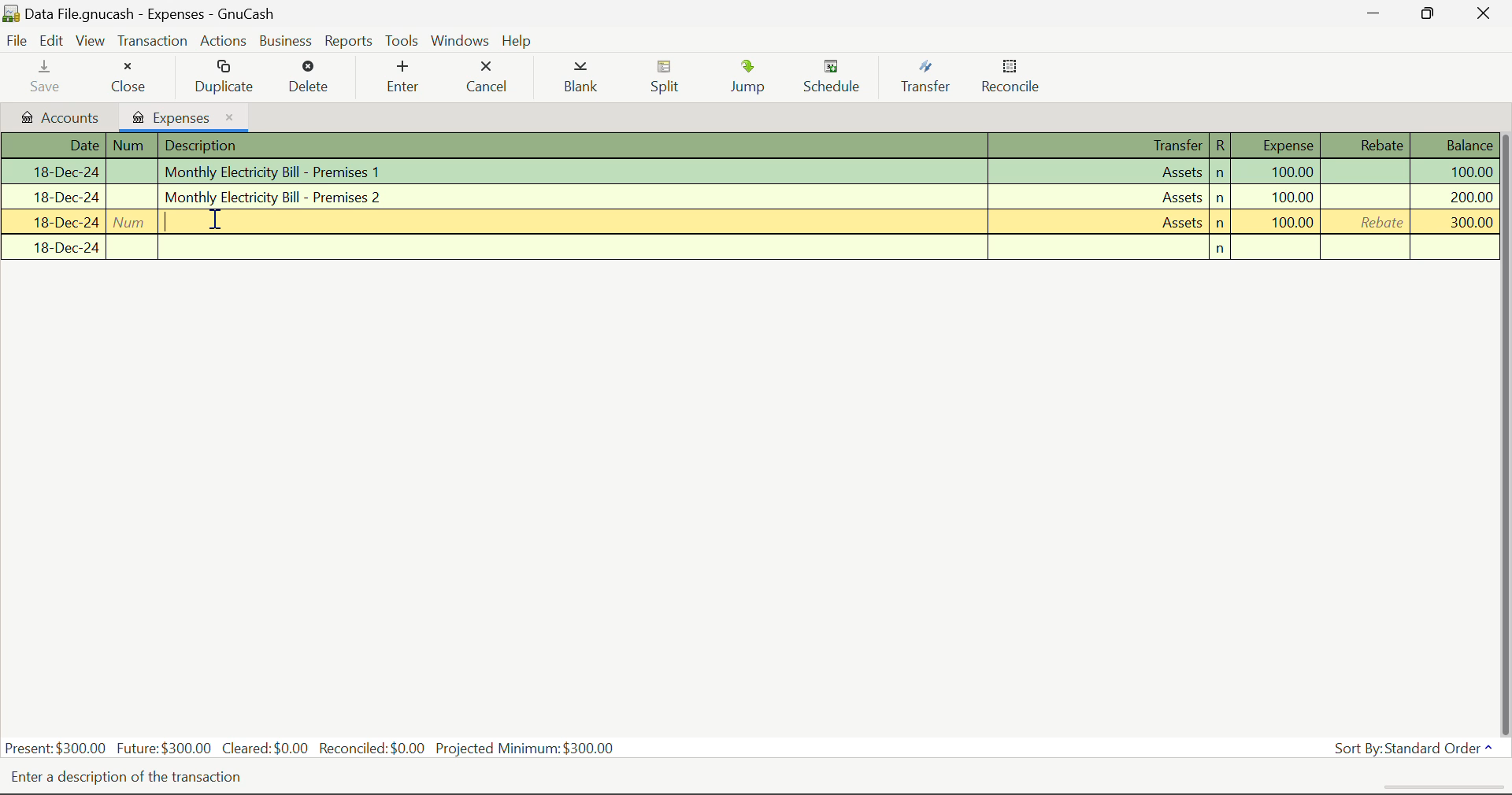 This screenshot has width=1512, height=795. I want to click on Restore Down, so click(1376, 17).